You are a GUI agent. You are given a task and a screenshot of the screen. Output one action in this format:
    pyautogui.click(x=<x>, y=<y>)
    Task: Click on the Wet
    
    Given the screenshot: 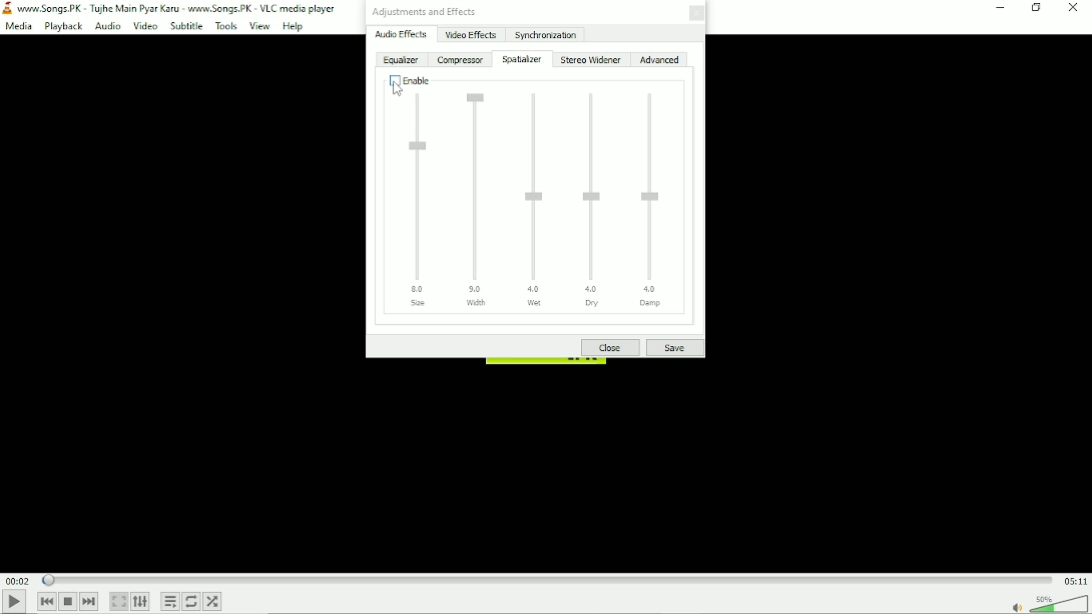 What is the action you would take?
    pyautogui.click(x=535, y=197)
    